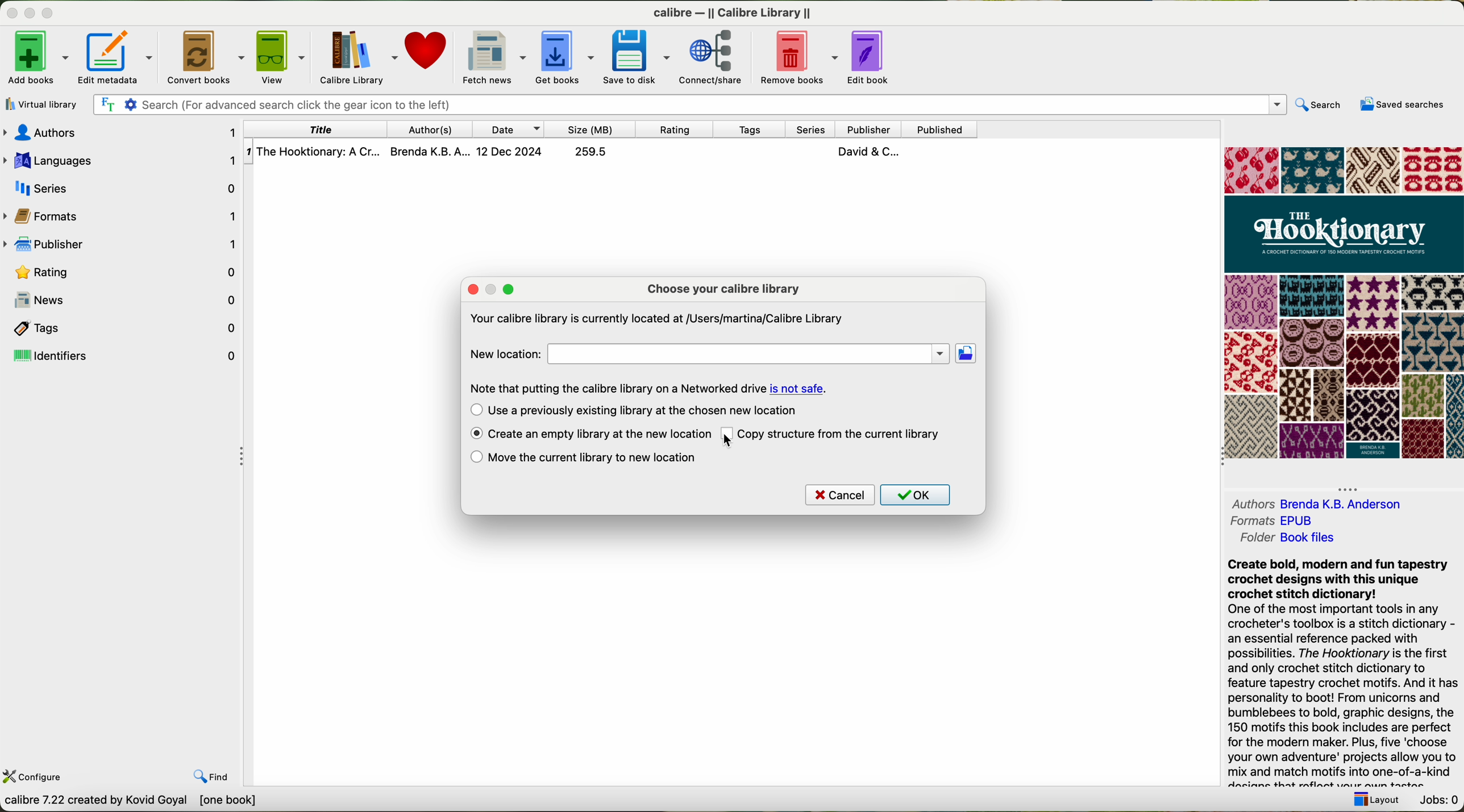  I want to click on title, so click(315, 128).